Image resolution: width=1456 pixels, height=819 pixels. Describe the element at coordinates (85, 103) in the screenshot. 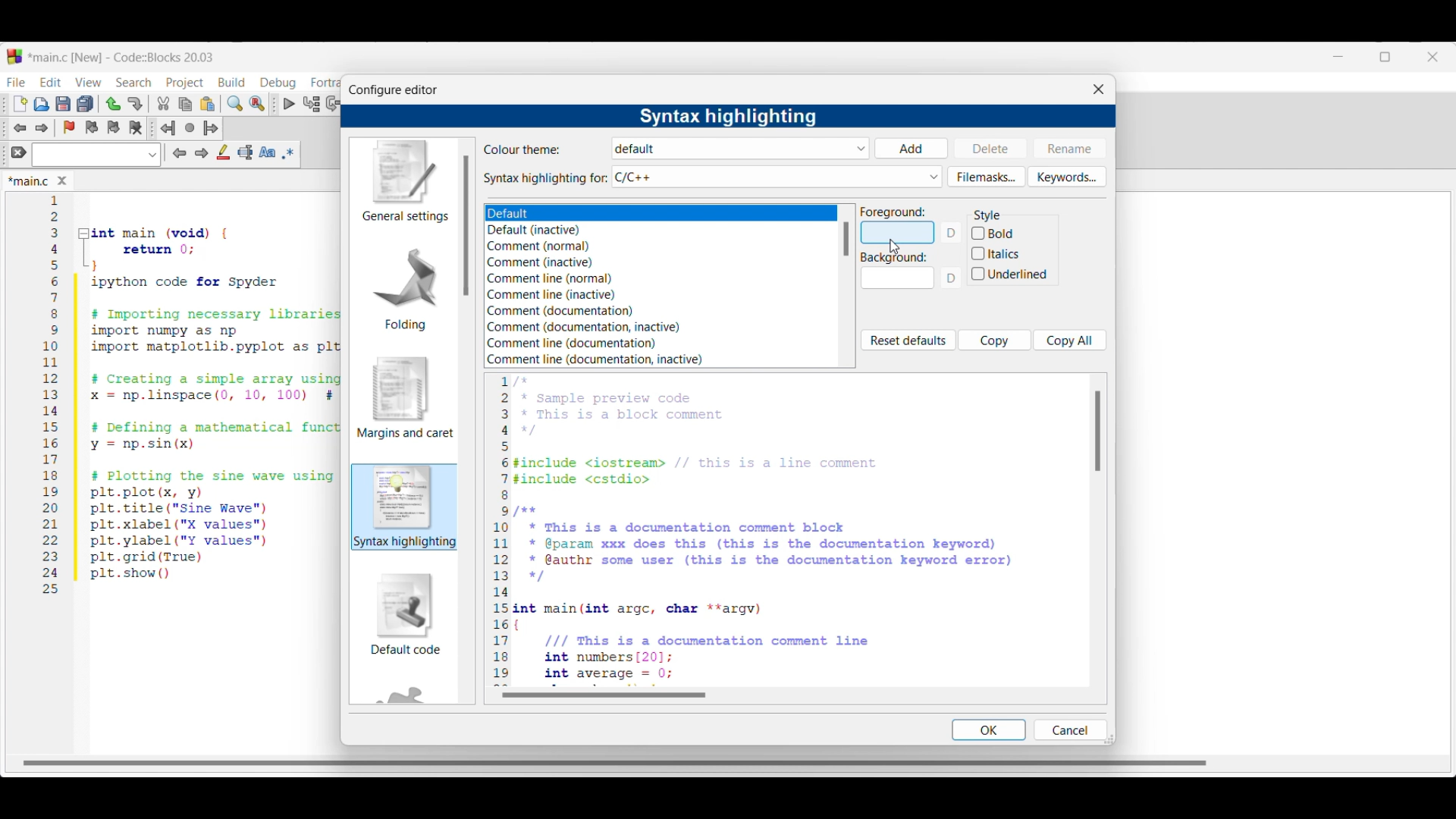

I see `Save everything` at that location.